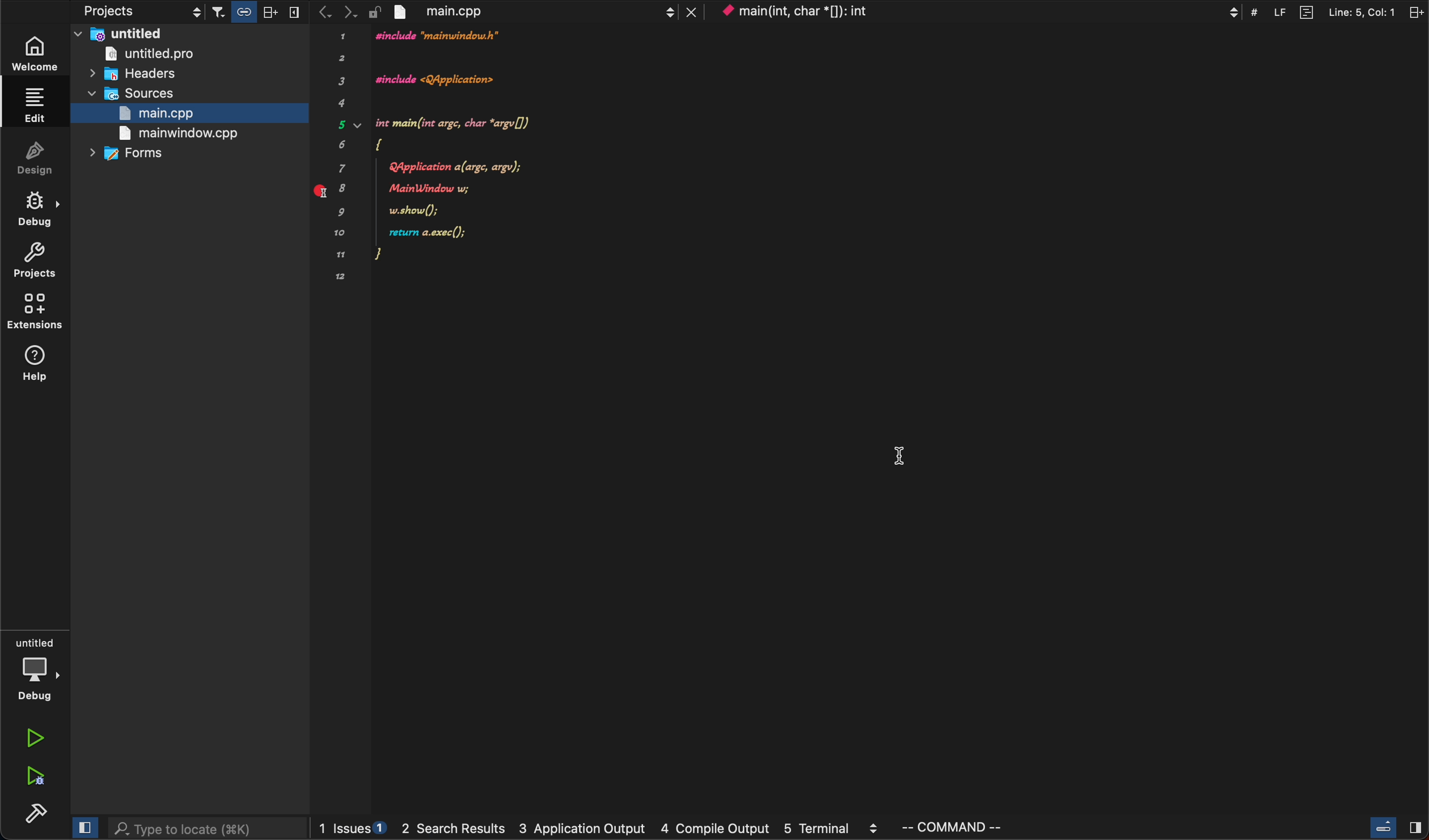 This screenshot has height=840, width=1429. What do you see at coordinates (34, 367) in the screenshot?
I see `help` at bounding box center [34, 367].